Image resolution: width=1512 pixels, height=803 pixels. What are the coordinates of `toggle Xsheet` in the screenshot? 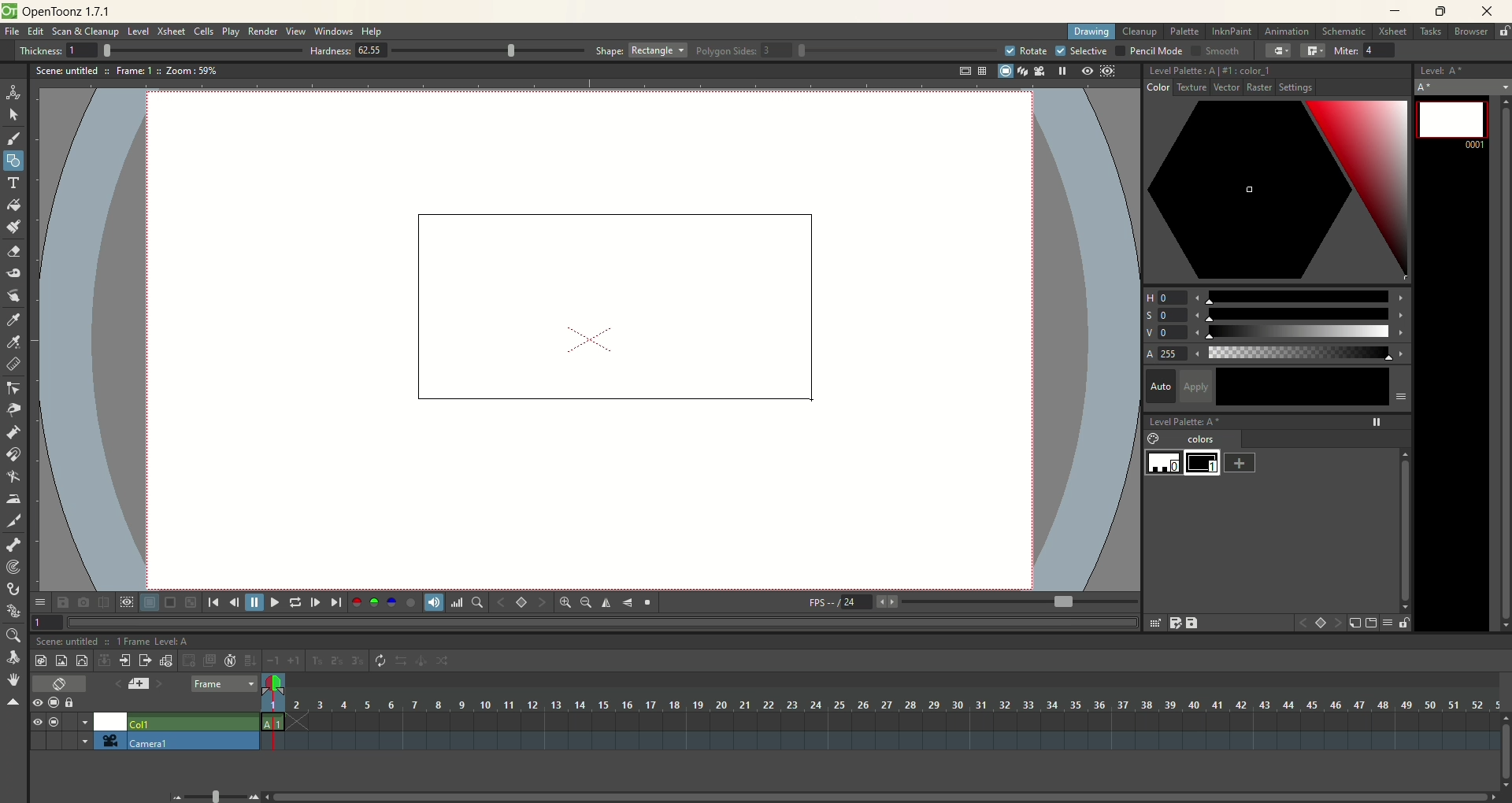 It's located at (61, 685).